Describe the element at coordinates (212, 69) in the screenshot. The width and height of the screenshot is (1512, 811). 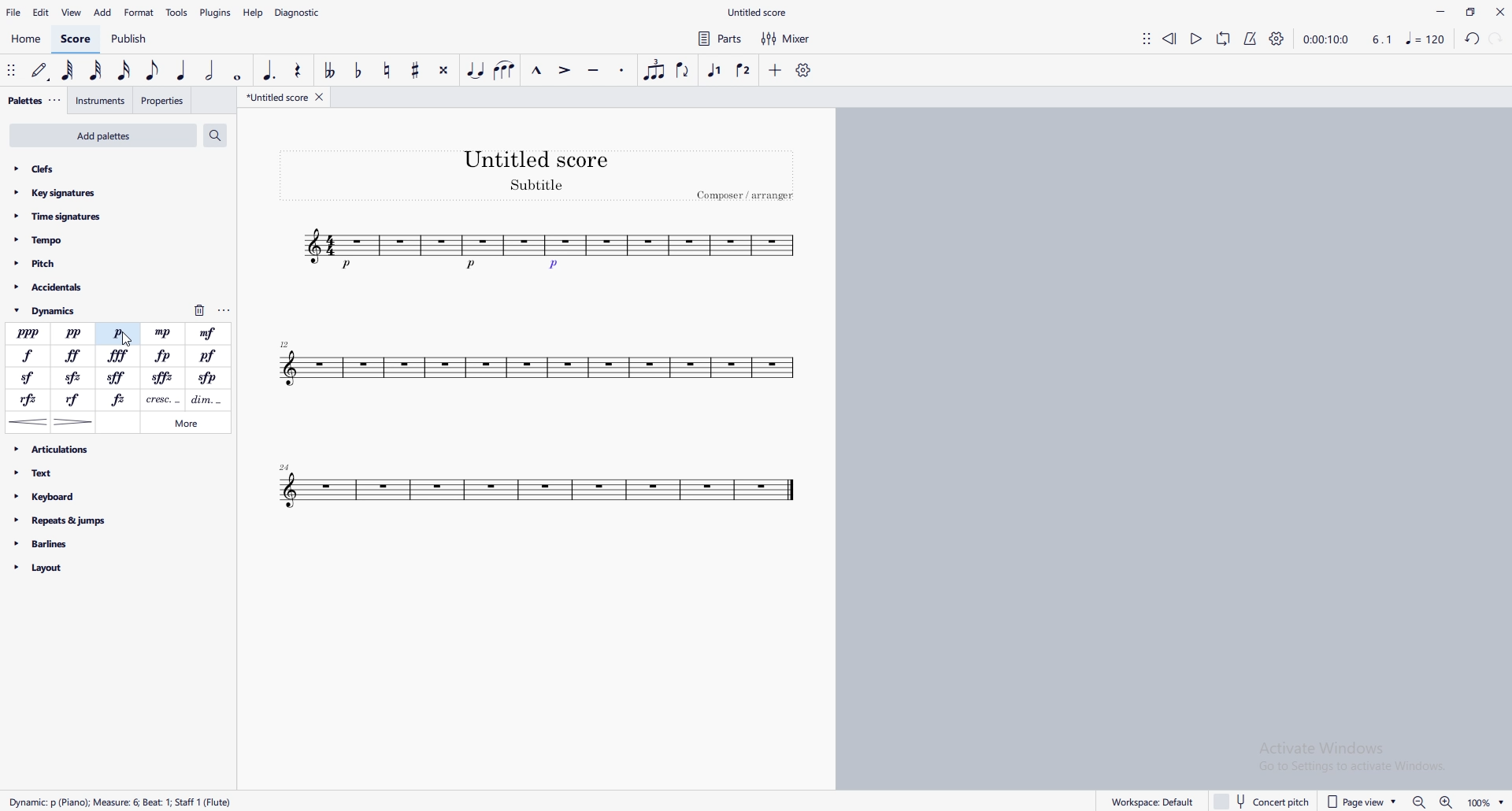
I see `half note` at that location.